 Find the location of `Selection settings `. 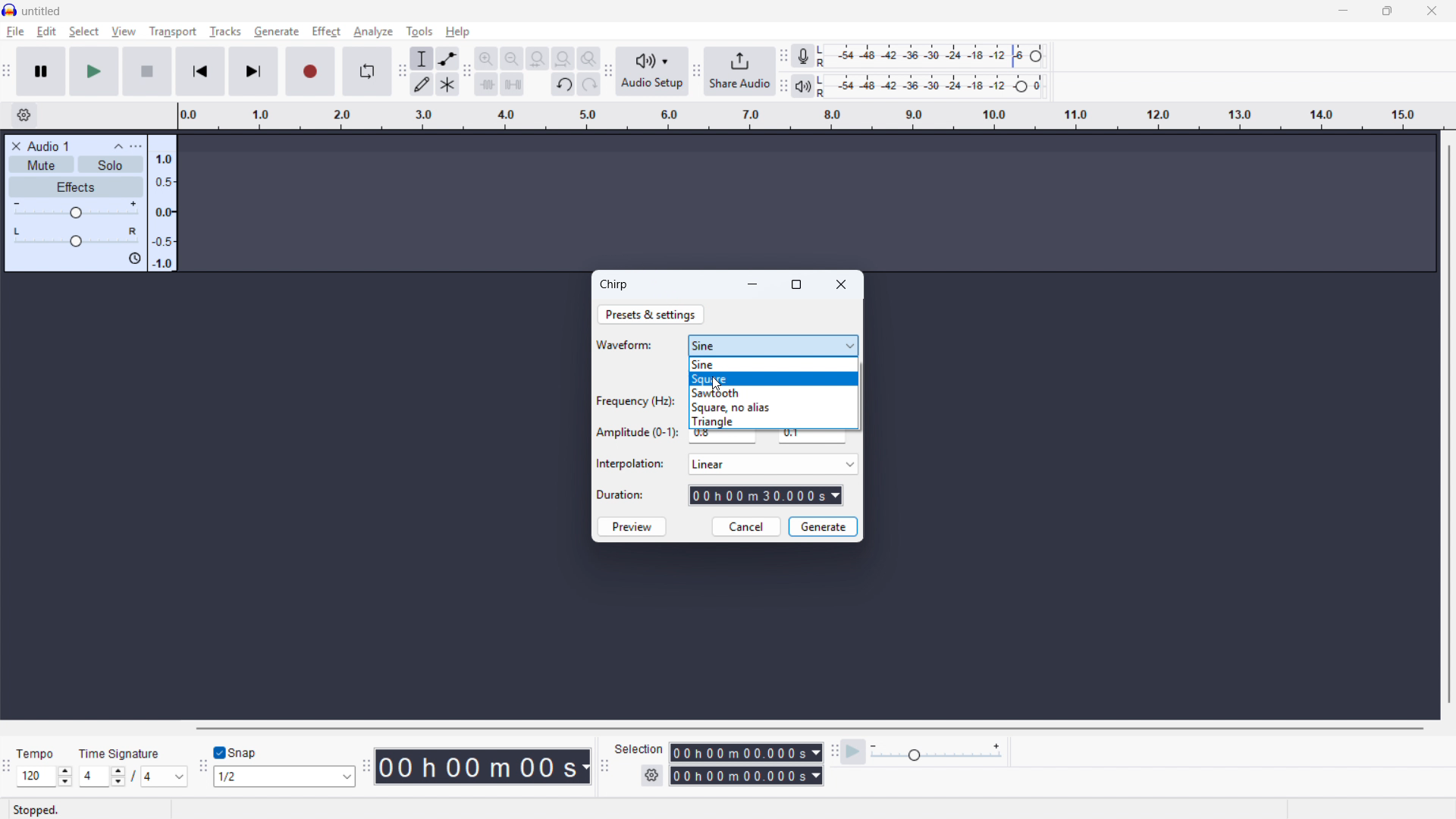

Selection settings  is located at coordinates (651, 777).